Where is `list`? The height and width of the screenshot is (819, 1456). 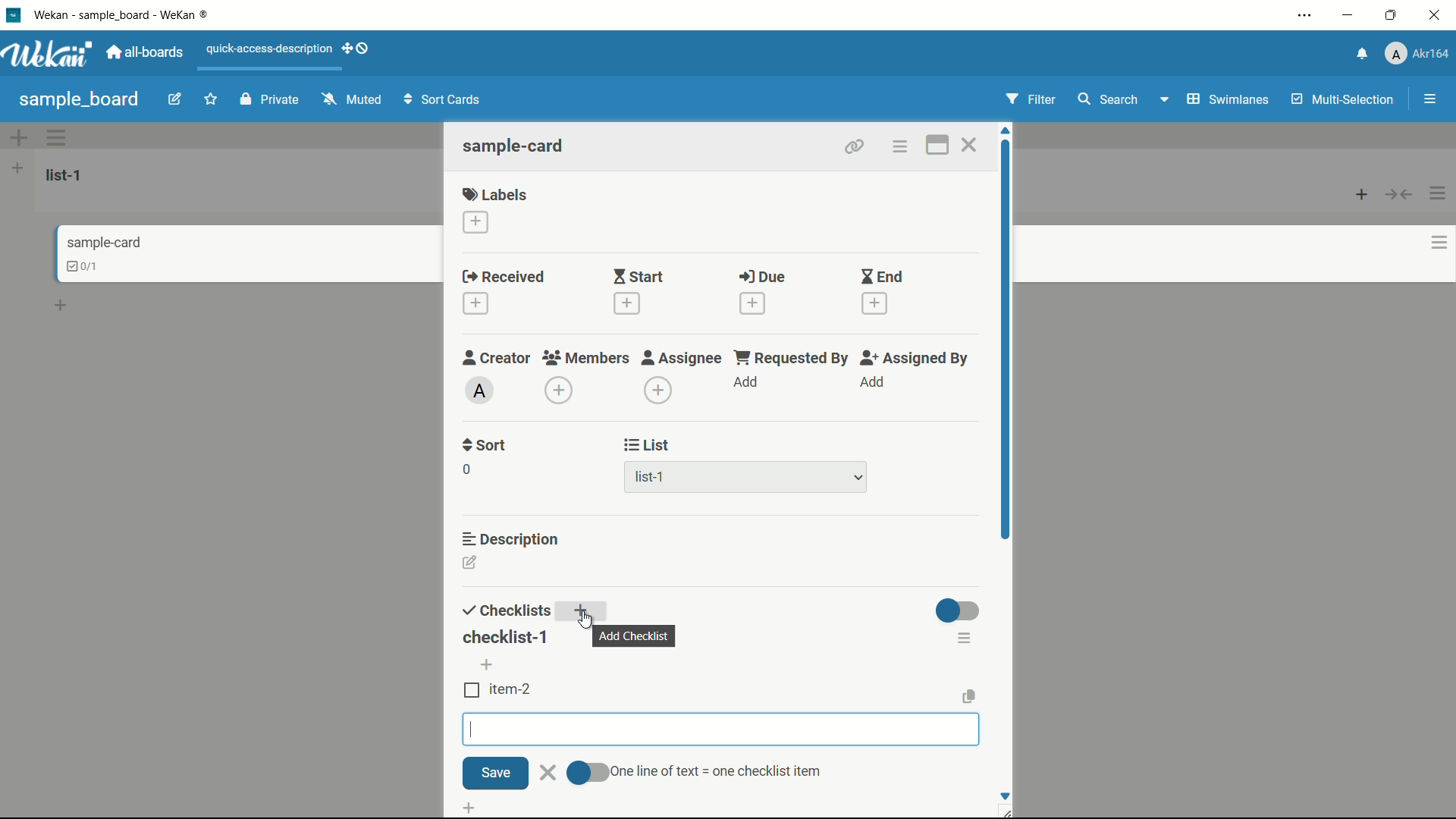
list is located at coordinates (648, 445).